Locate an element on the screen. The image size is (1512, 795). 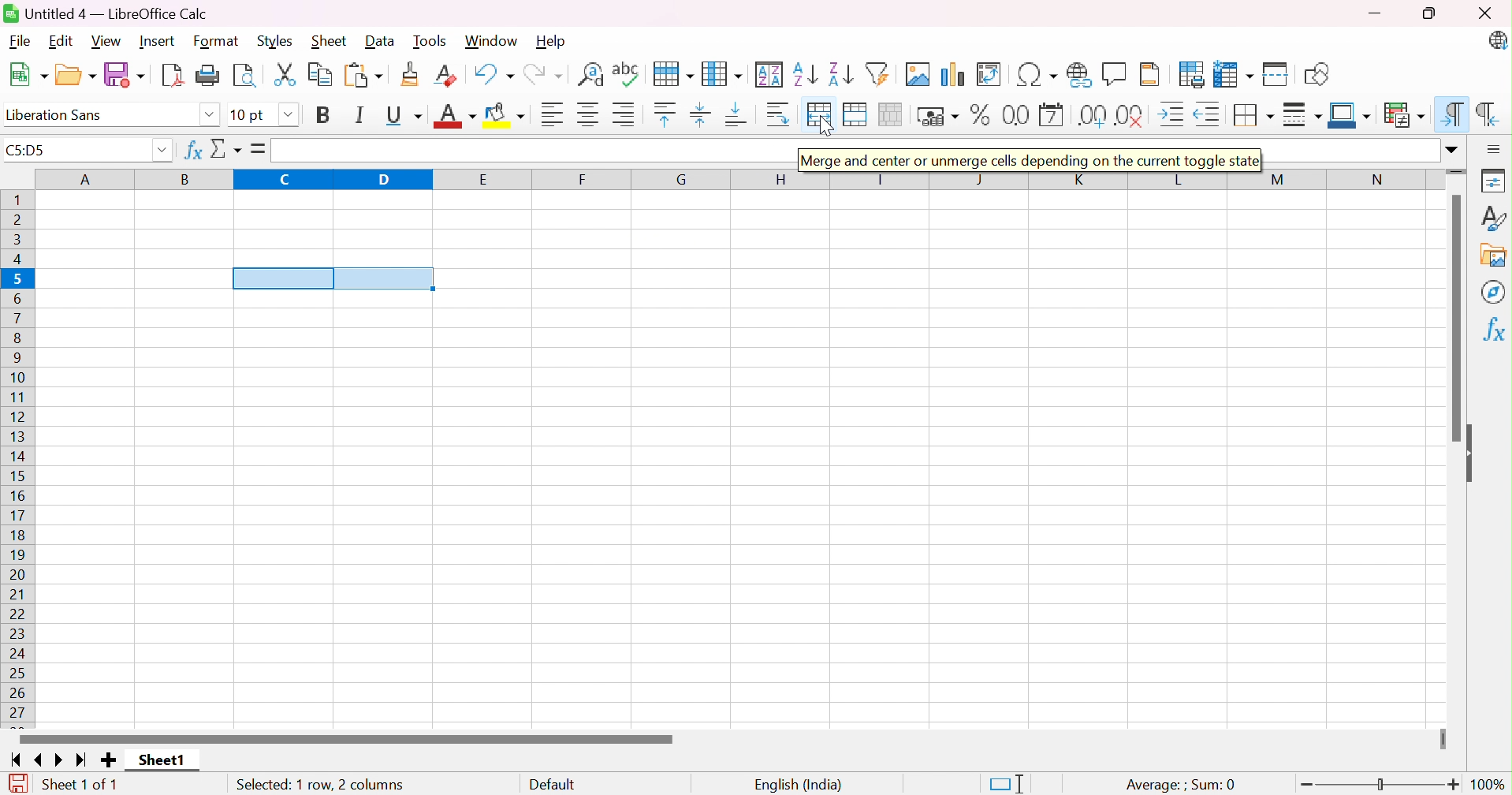
Scroll to first sheet is located at coordinates (13, 761).